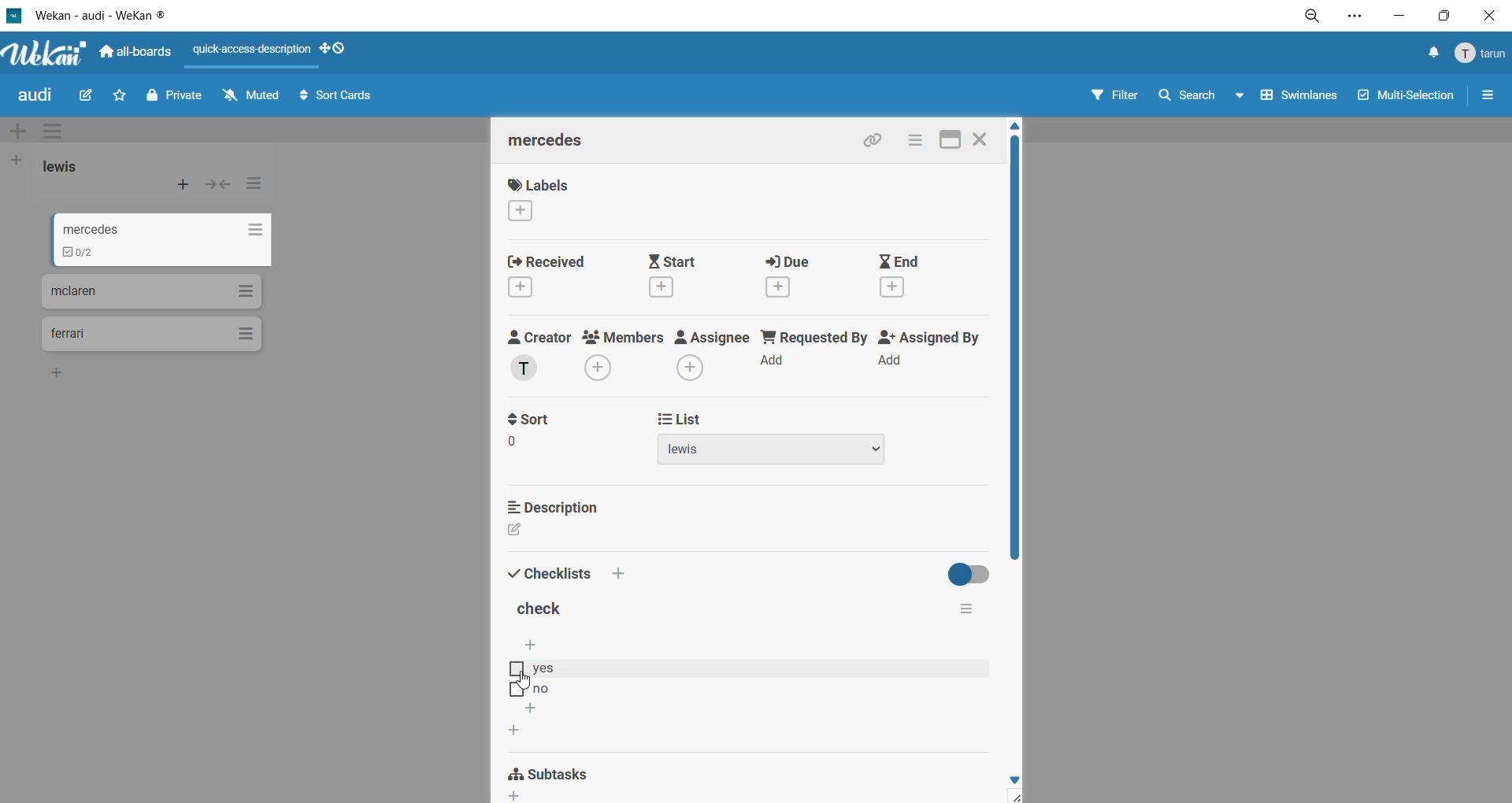 The image size is (1512, 803). Describe the element at coordinates (984, 140) in the screenshot. I see `close` at that location.